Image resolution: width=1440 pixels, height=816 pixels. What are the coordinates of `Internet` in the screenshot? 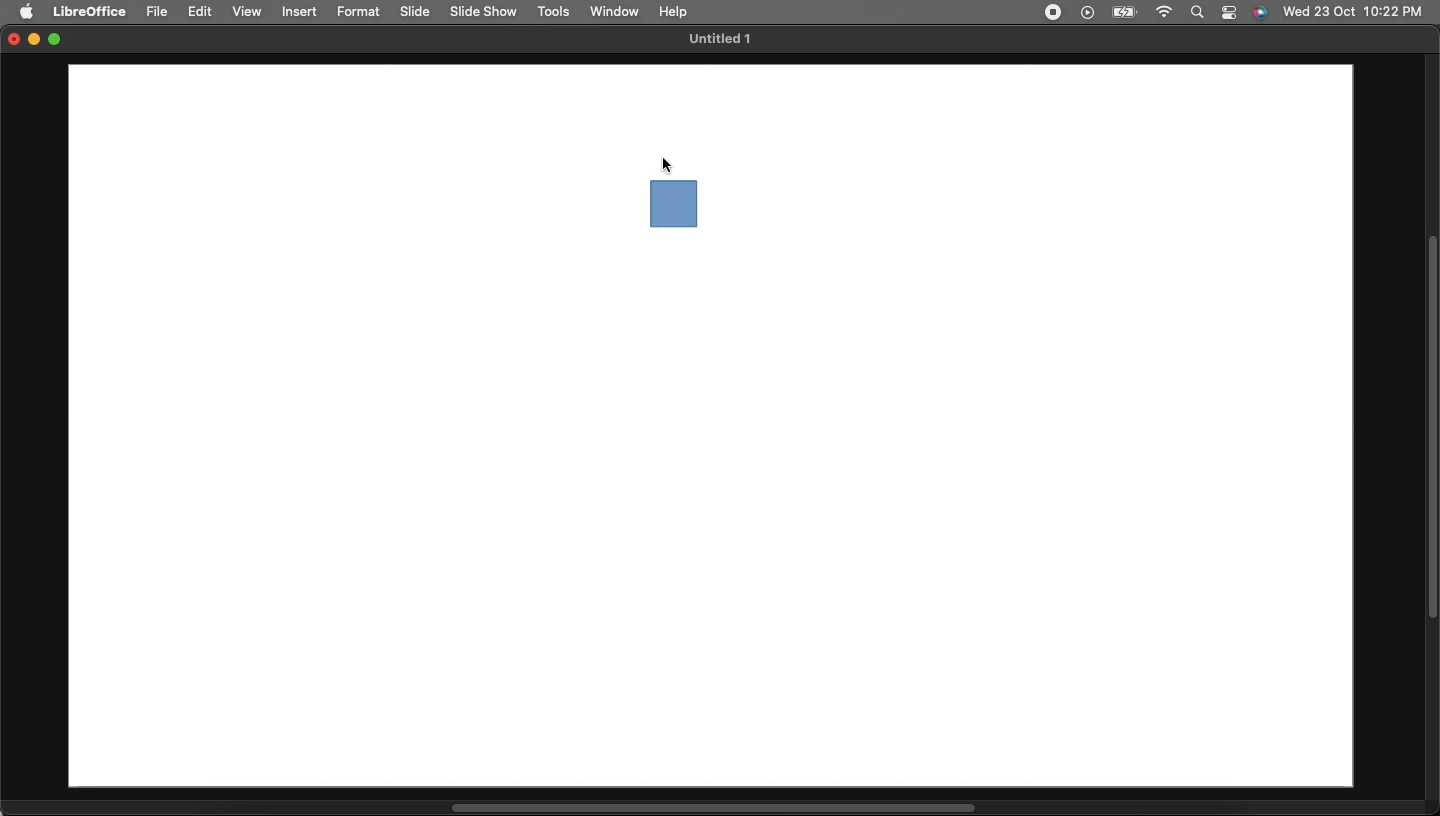 It's located at (1163, 13).